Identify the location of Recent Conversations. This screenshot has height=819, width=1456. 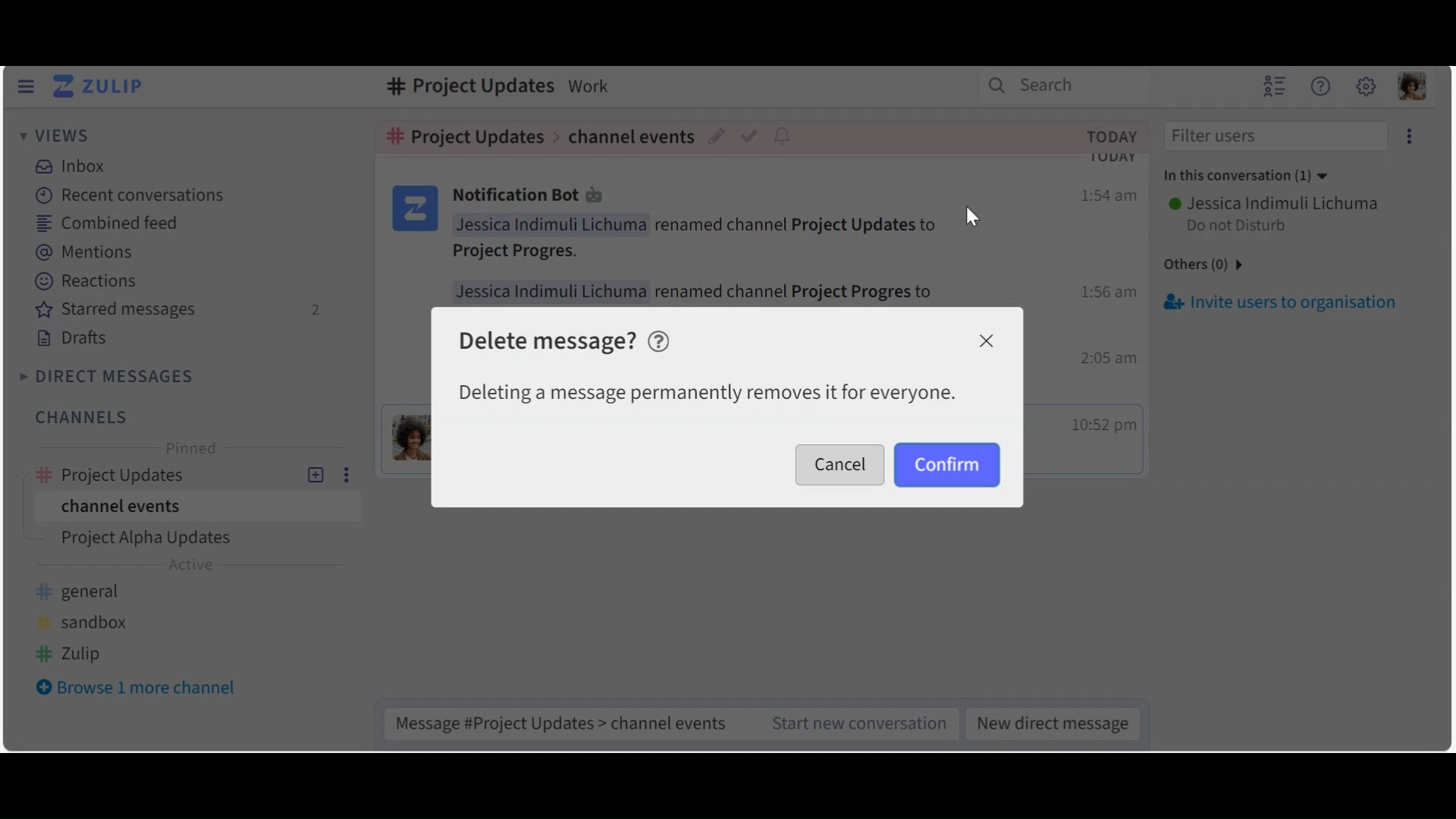
(130, 194).